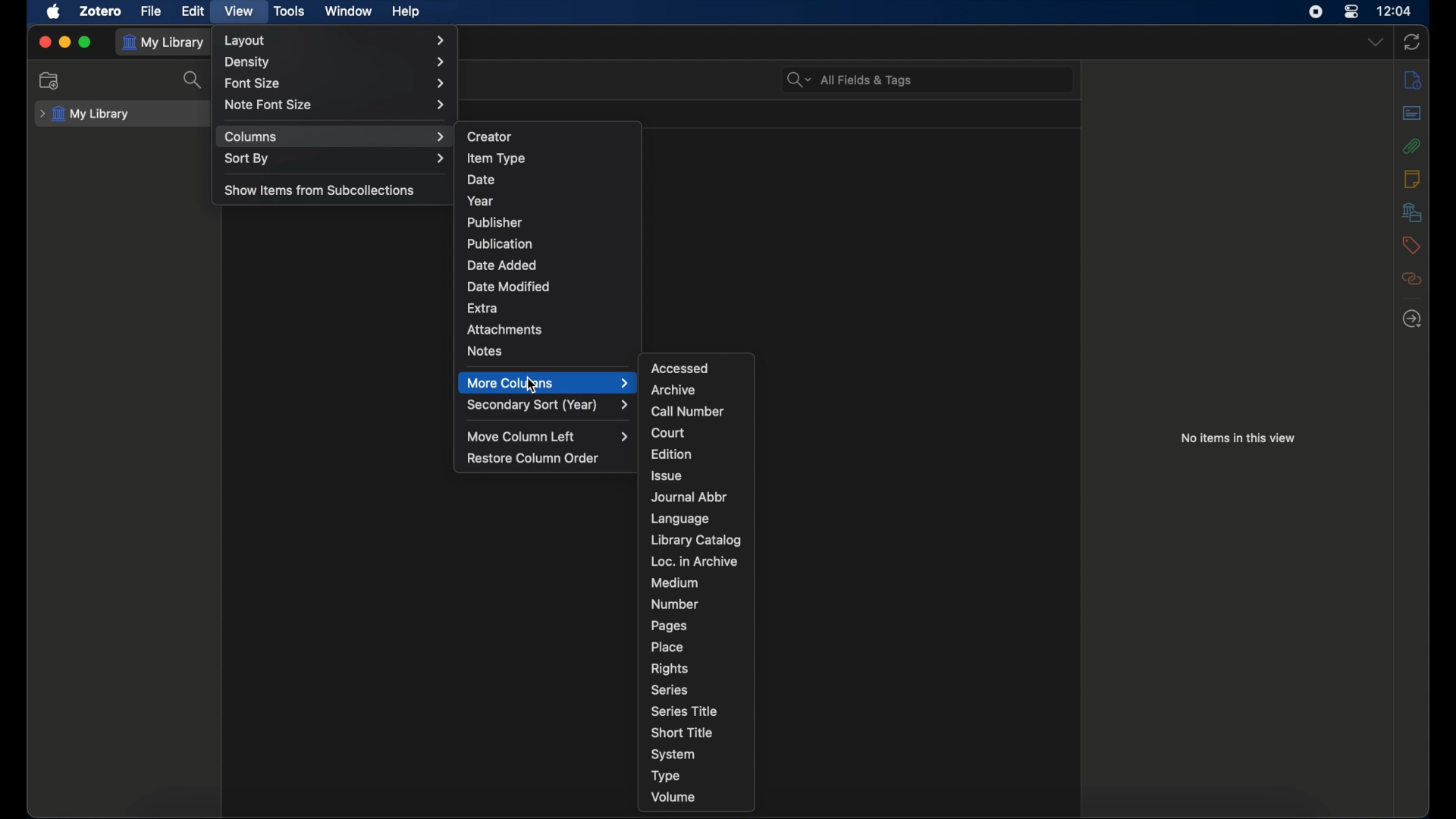 This screenshot has width=1456, height=819. Describe the element at coordinates (509, 287) in the screenshot. I see `date modified` at that location.